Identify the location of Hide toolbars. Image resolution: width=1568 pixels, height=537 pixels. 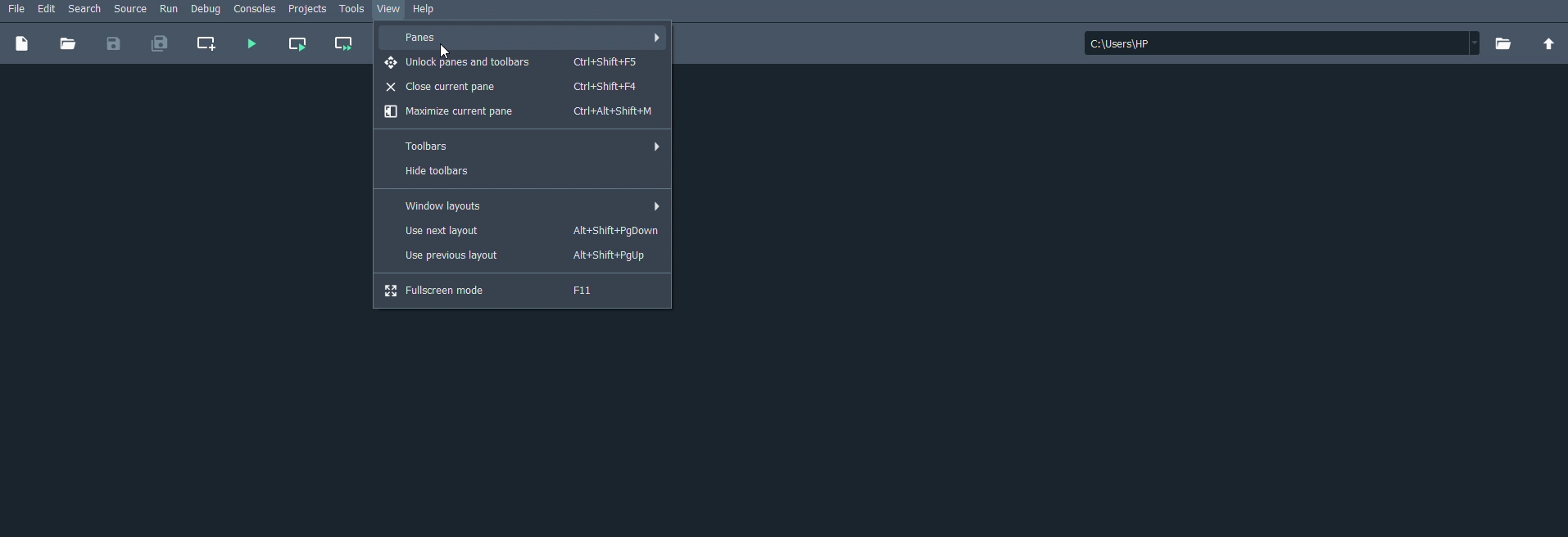
(456, 173).